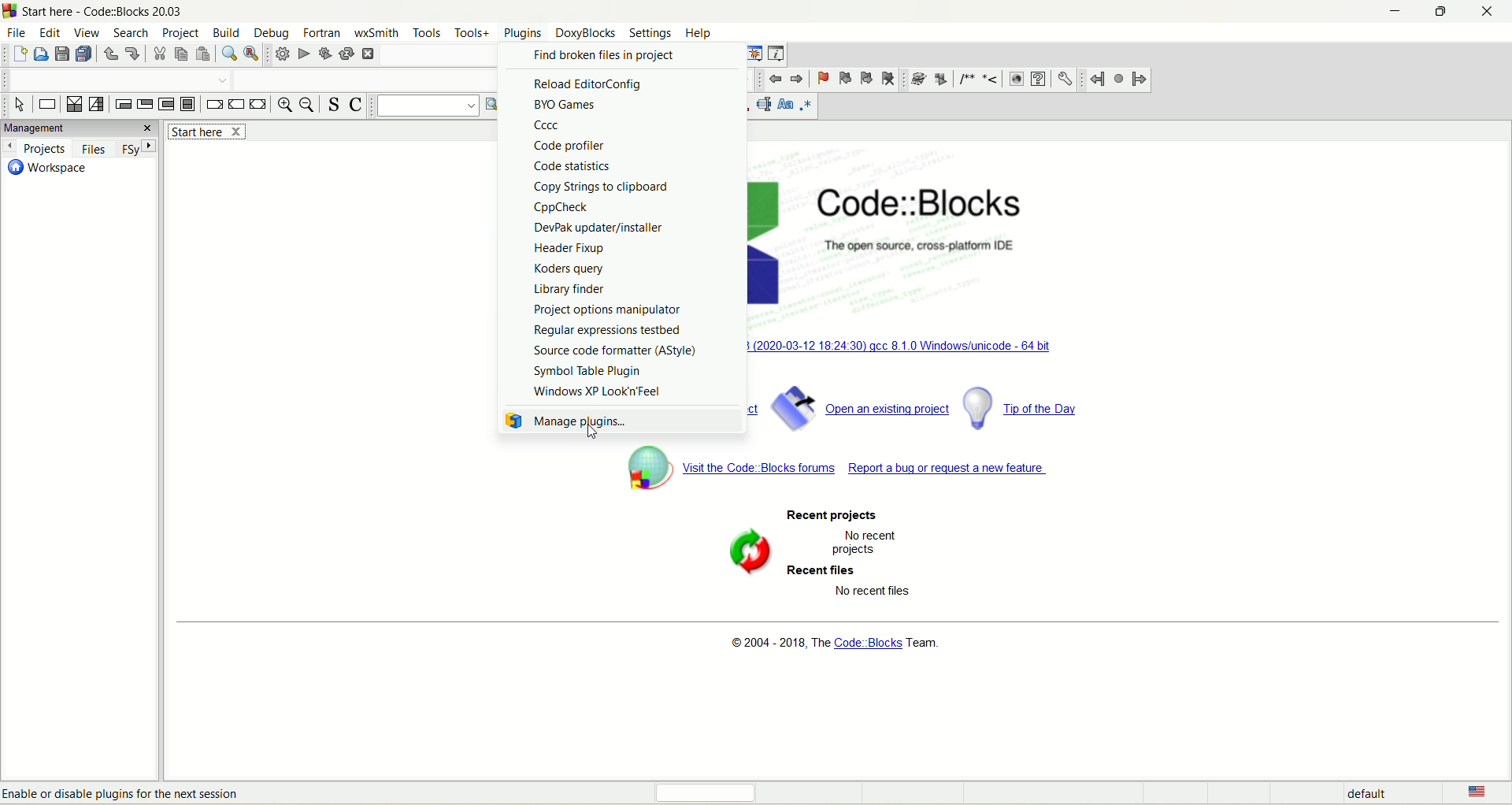 This screenshot has width=1512, height=805. Describe the element at coordinates (598, 392) in the screenshot. I see `lock and feel` at that location.